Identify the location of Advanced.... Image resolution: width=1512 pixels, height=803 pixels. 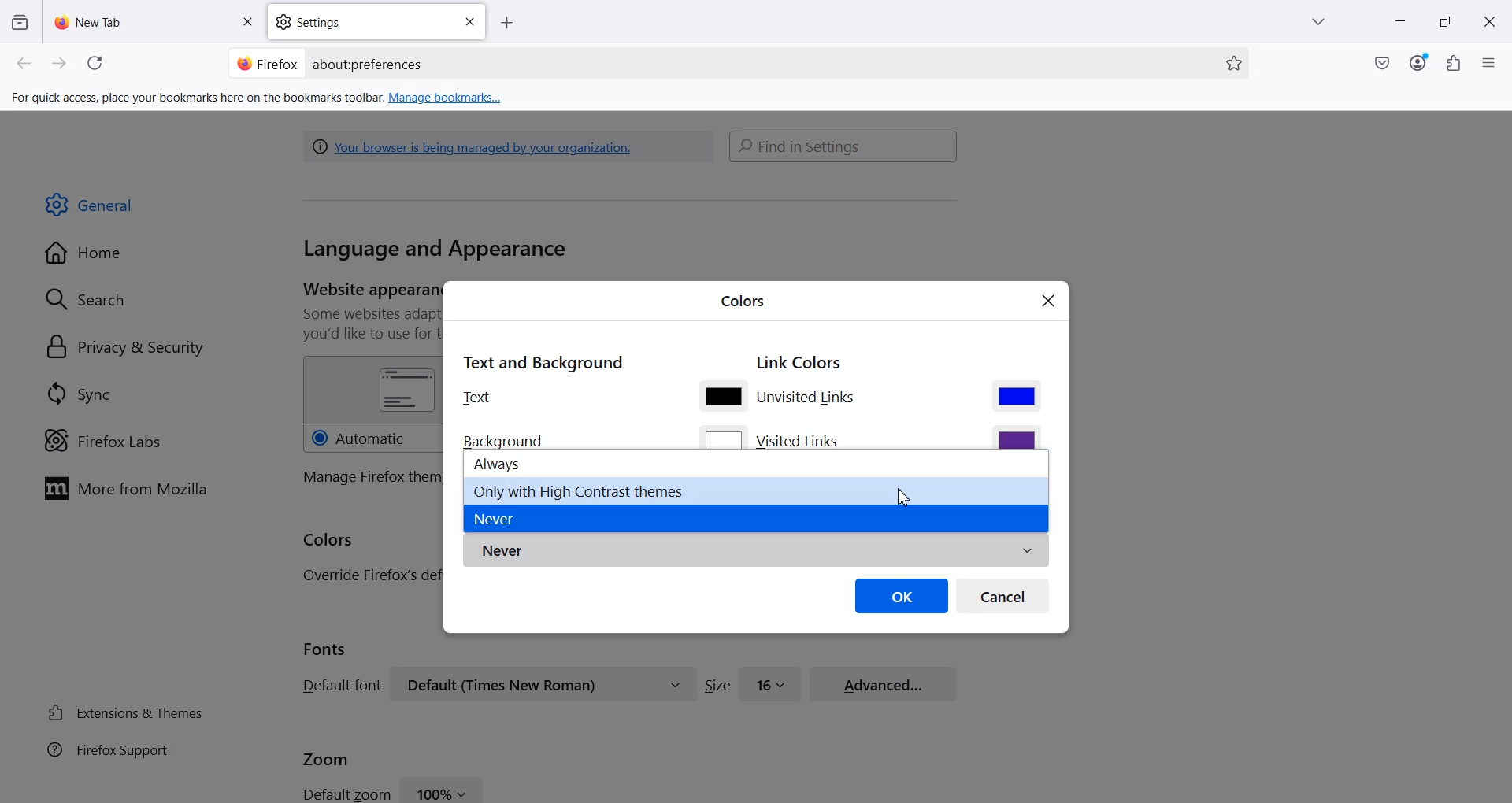
(884, 682).